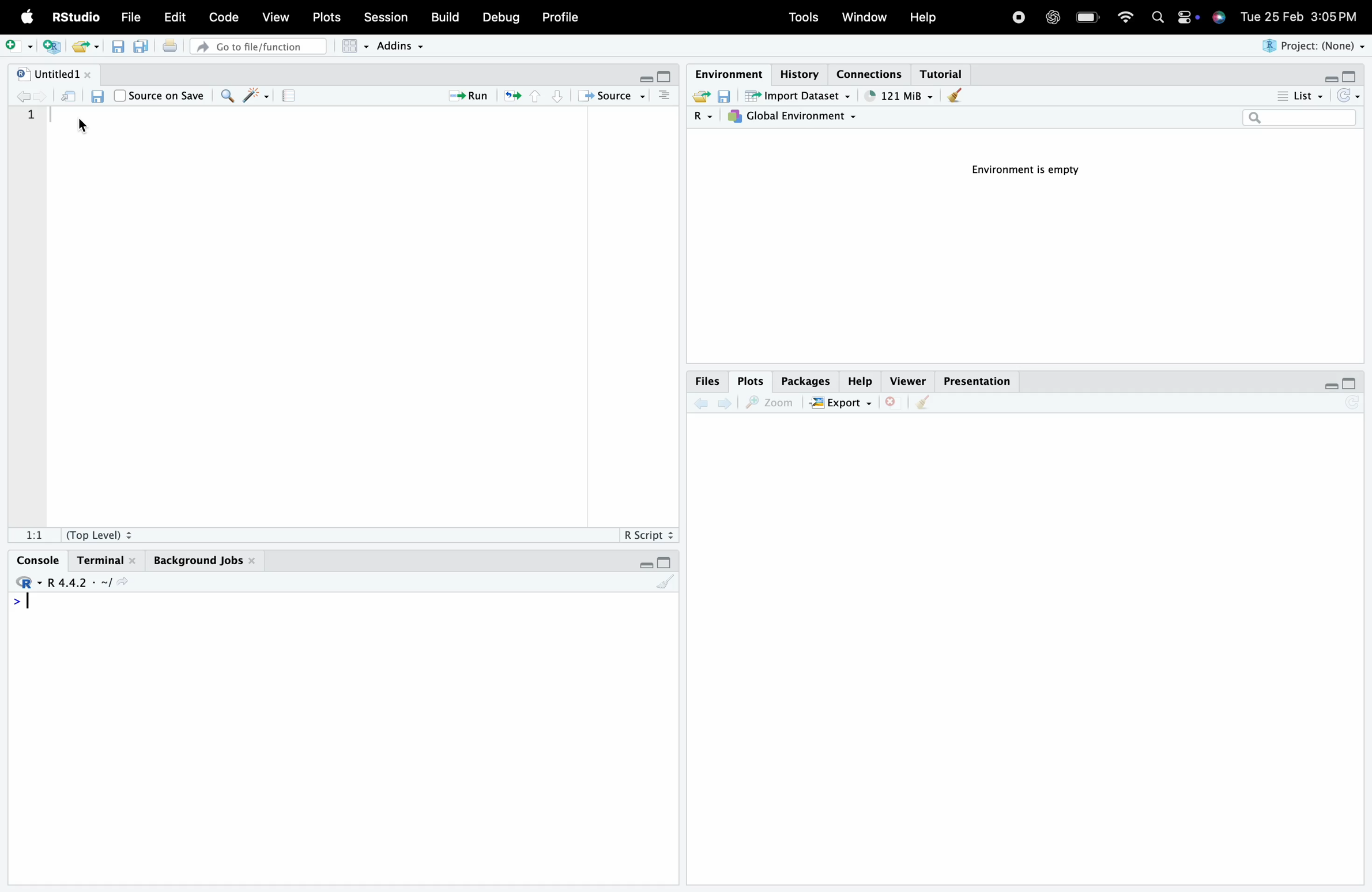  What do you see at coordinates (649, 533) in the screenshot?
I see `R Script` at bounding box center [649, 533].